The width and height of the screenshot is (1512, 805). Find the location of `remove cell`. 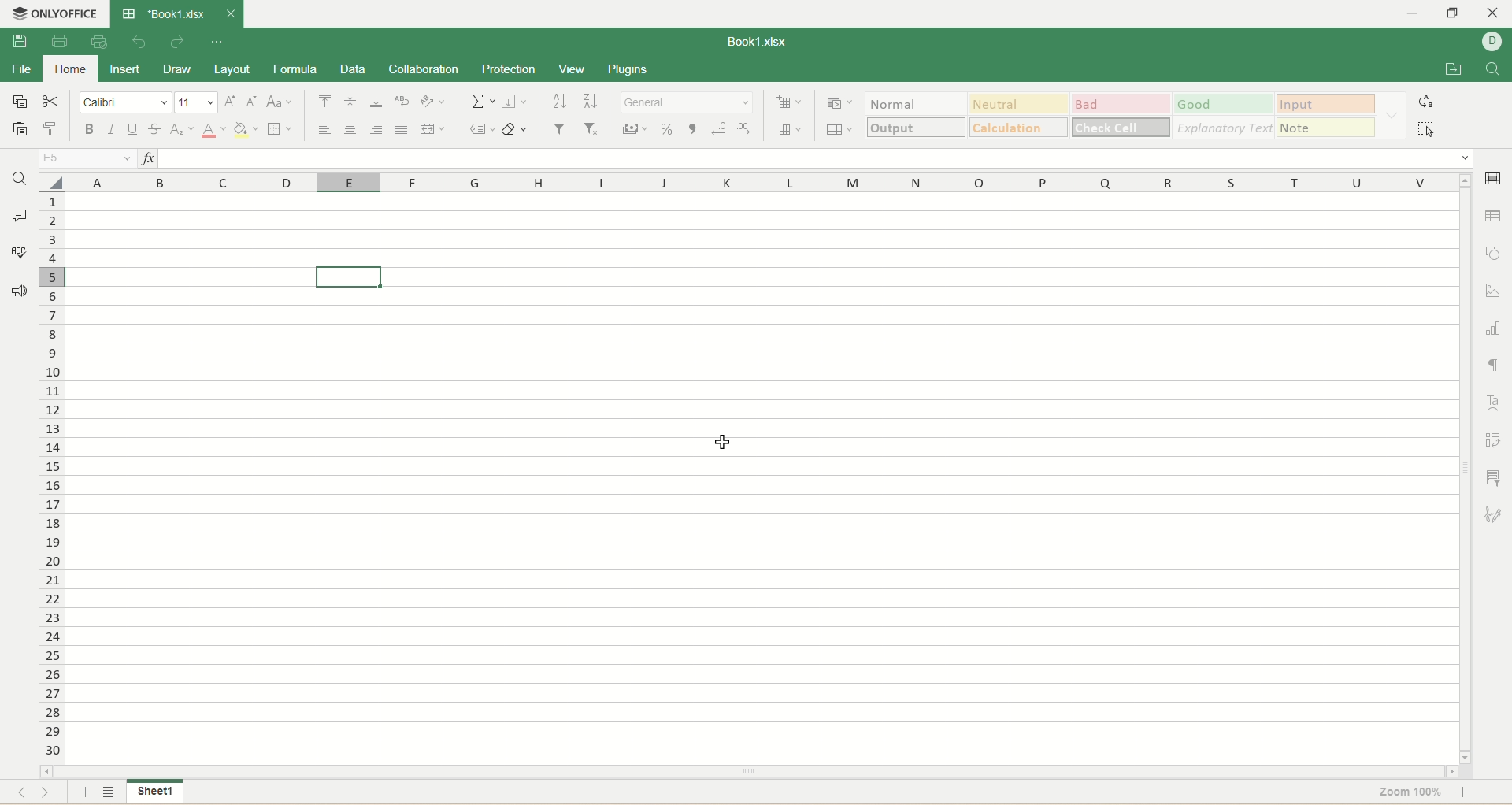

remove cell is located at coordinates (787, 128).